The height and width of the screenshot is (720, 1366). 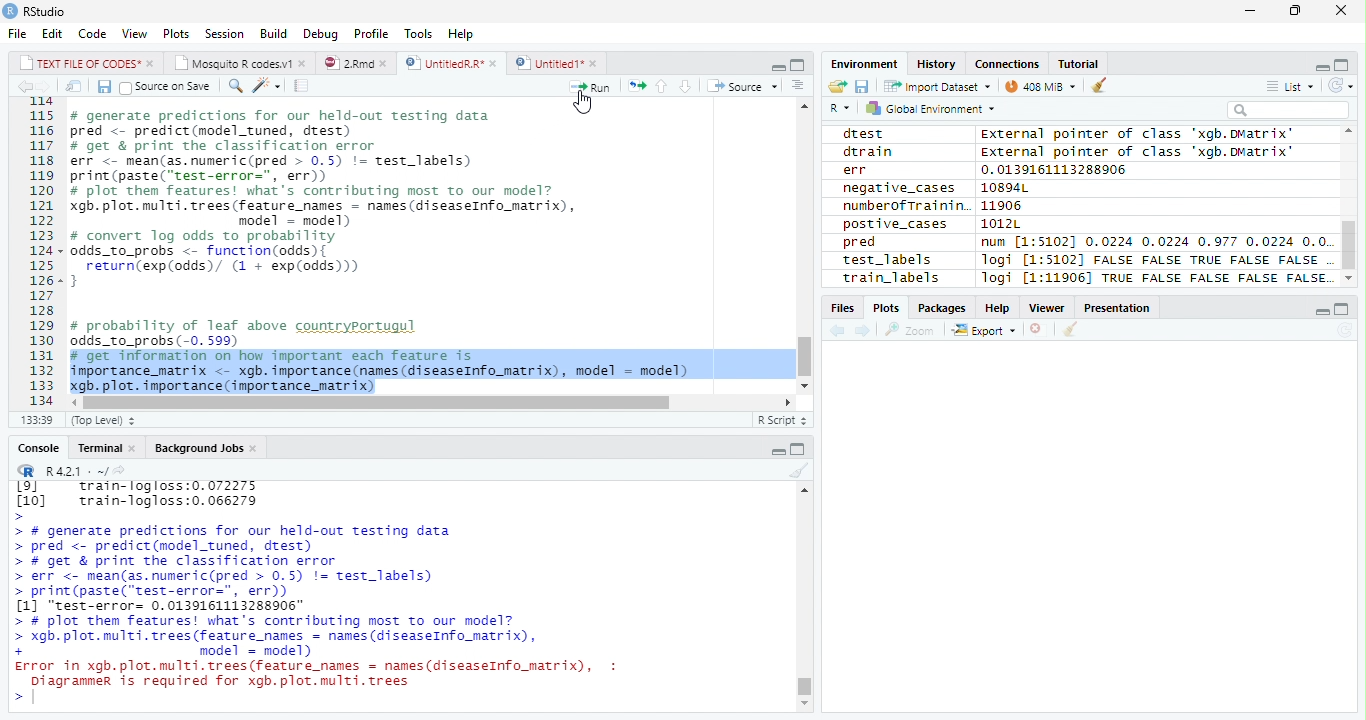 What do you see at coordinates (859, 63) in the screenshot?
I see `Environment` at bounding box center [859, 63].